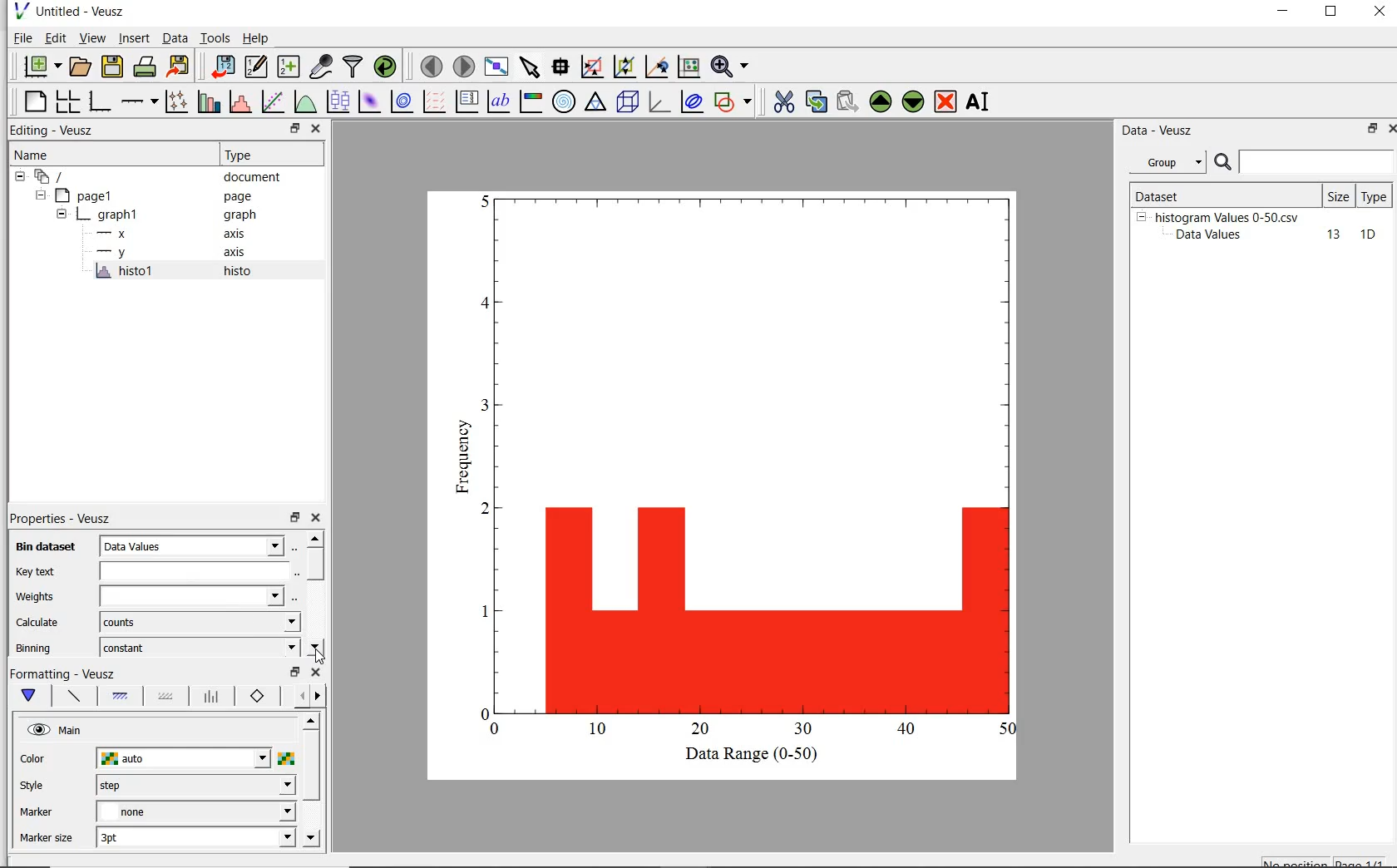 This screenshot has width=1397, height=868. I want to click on plot 2d dataset as contours, so click(402, 101).